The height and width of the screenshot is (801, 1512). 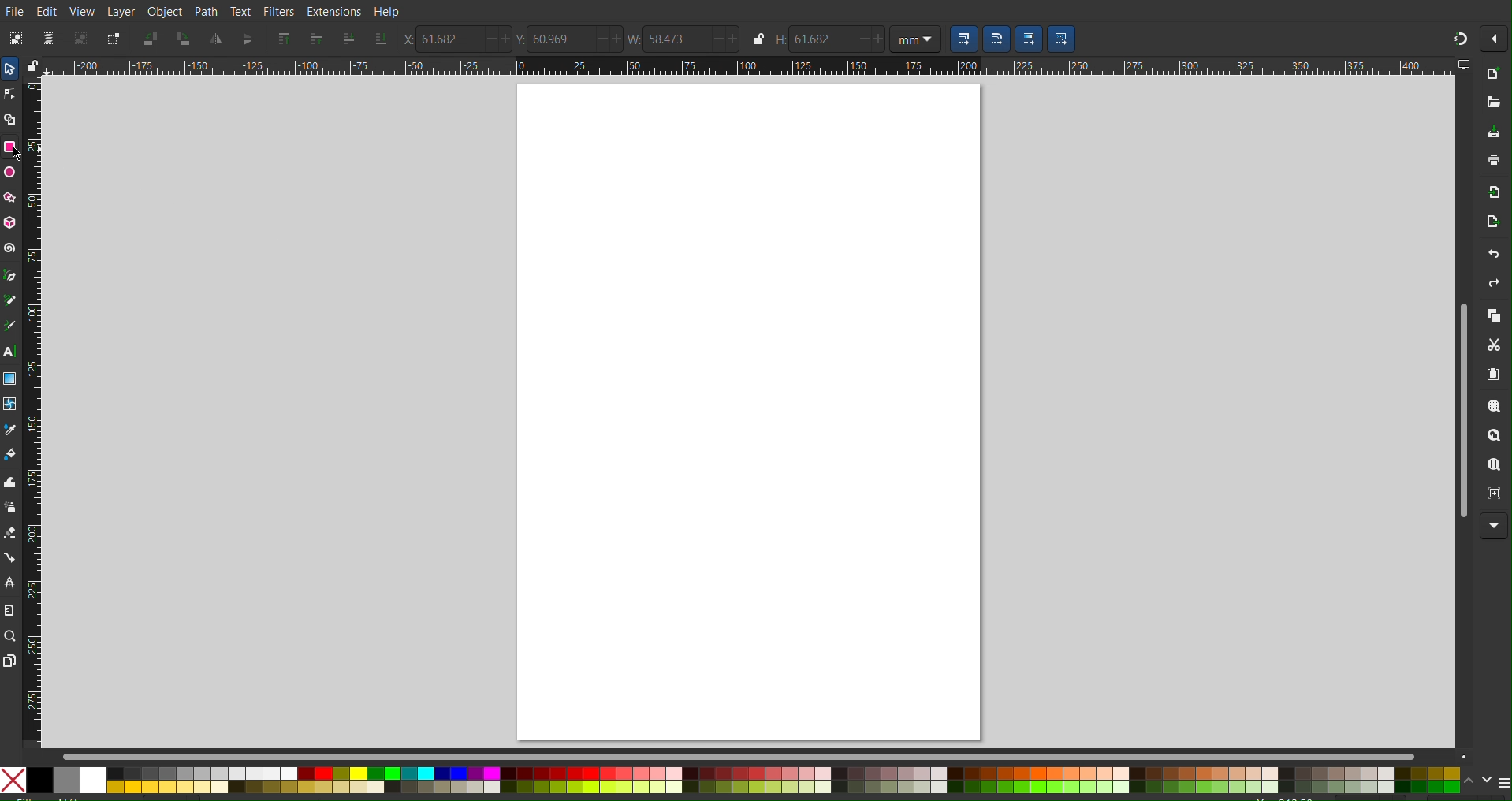 I want to click on Paste, so click(x=1495, y=376).